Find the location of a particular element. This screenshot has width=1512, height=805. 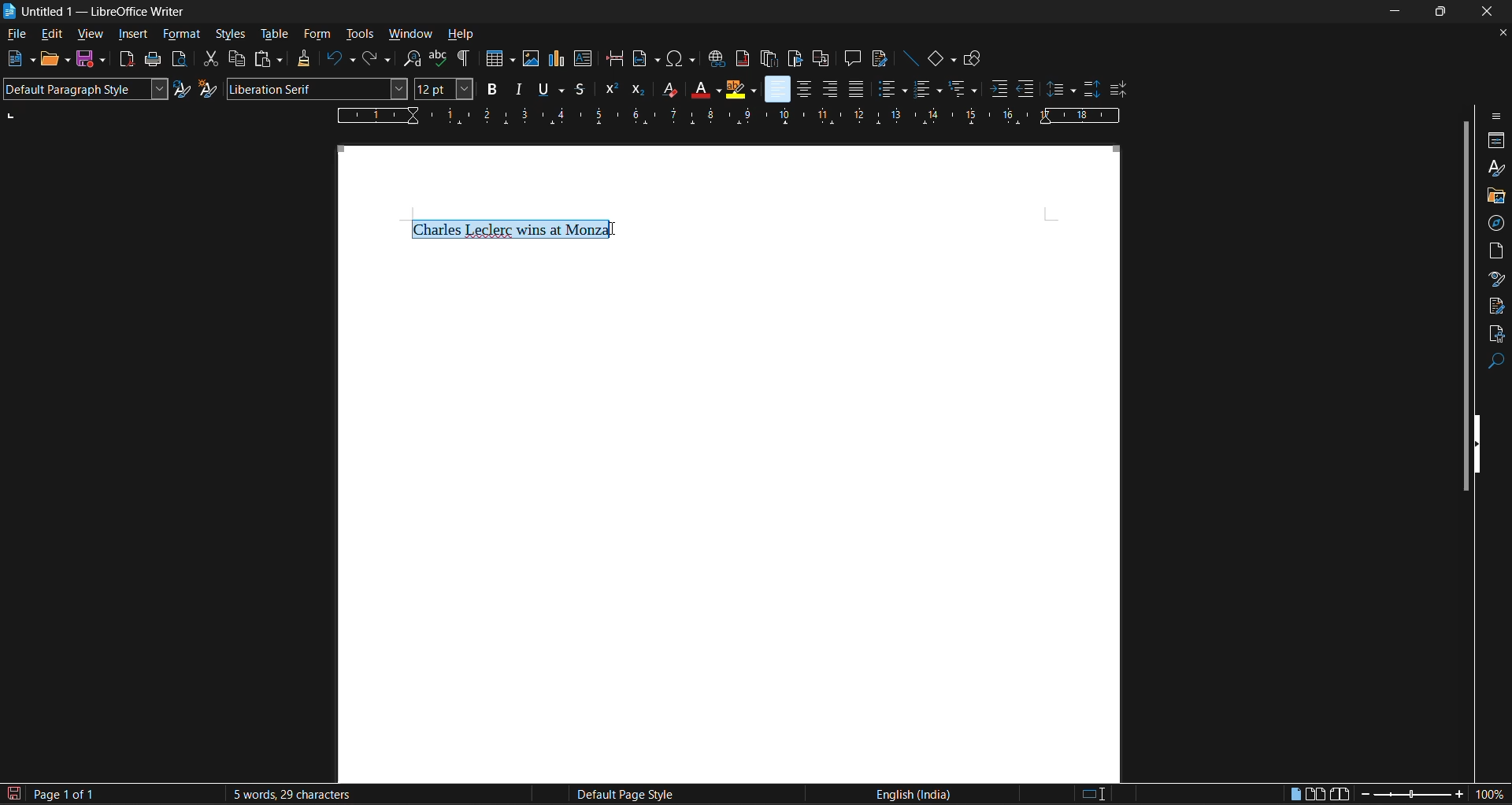

align left is located at coordinates (776, 88).